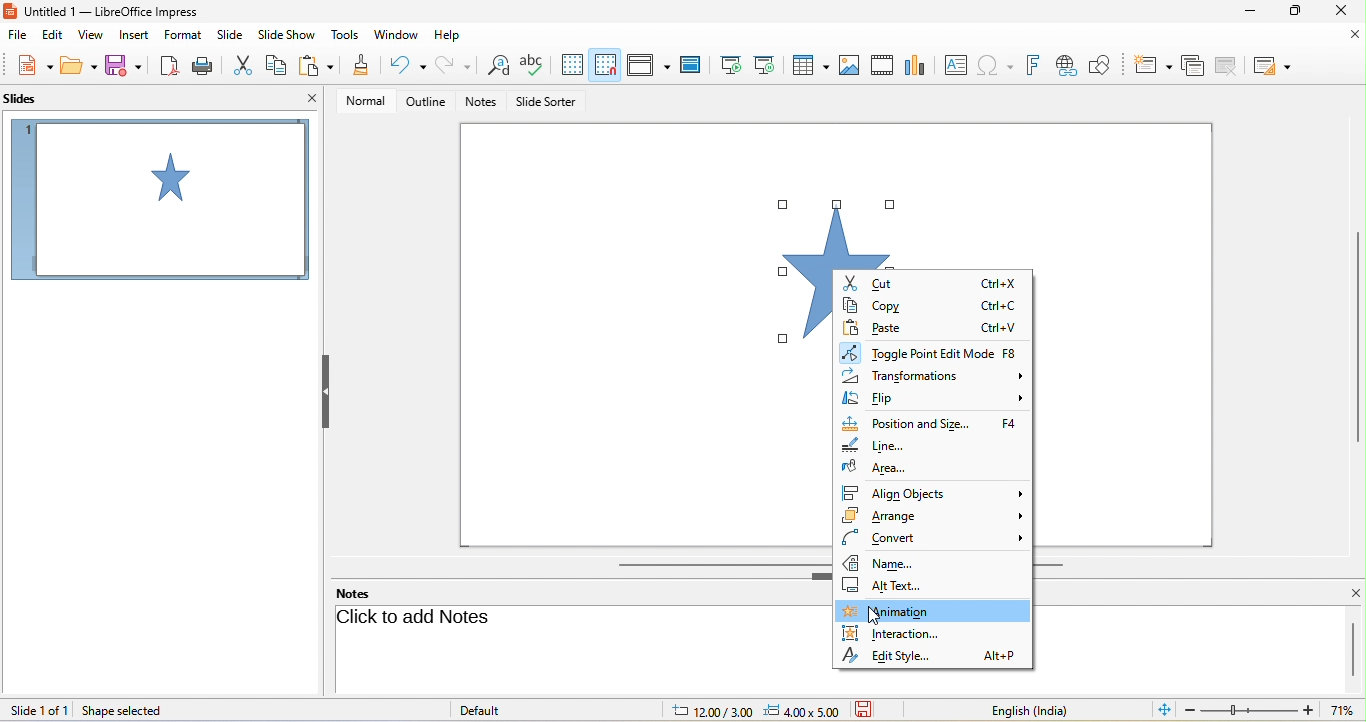 The image size is (1366, 722). Describe the element at coordinates (932, 515) in the screenshot. I see `arrange` at that location.